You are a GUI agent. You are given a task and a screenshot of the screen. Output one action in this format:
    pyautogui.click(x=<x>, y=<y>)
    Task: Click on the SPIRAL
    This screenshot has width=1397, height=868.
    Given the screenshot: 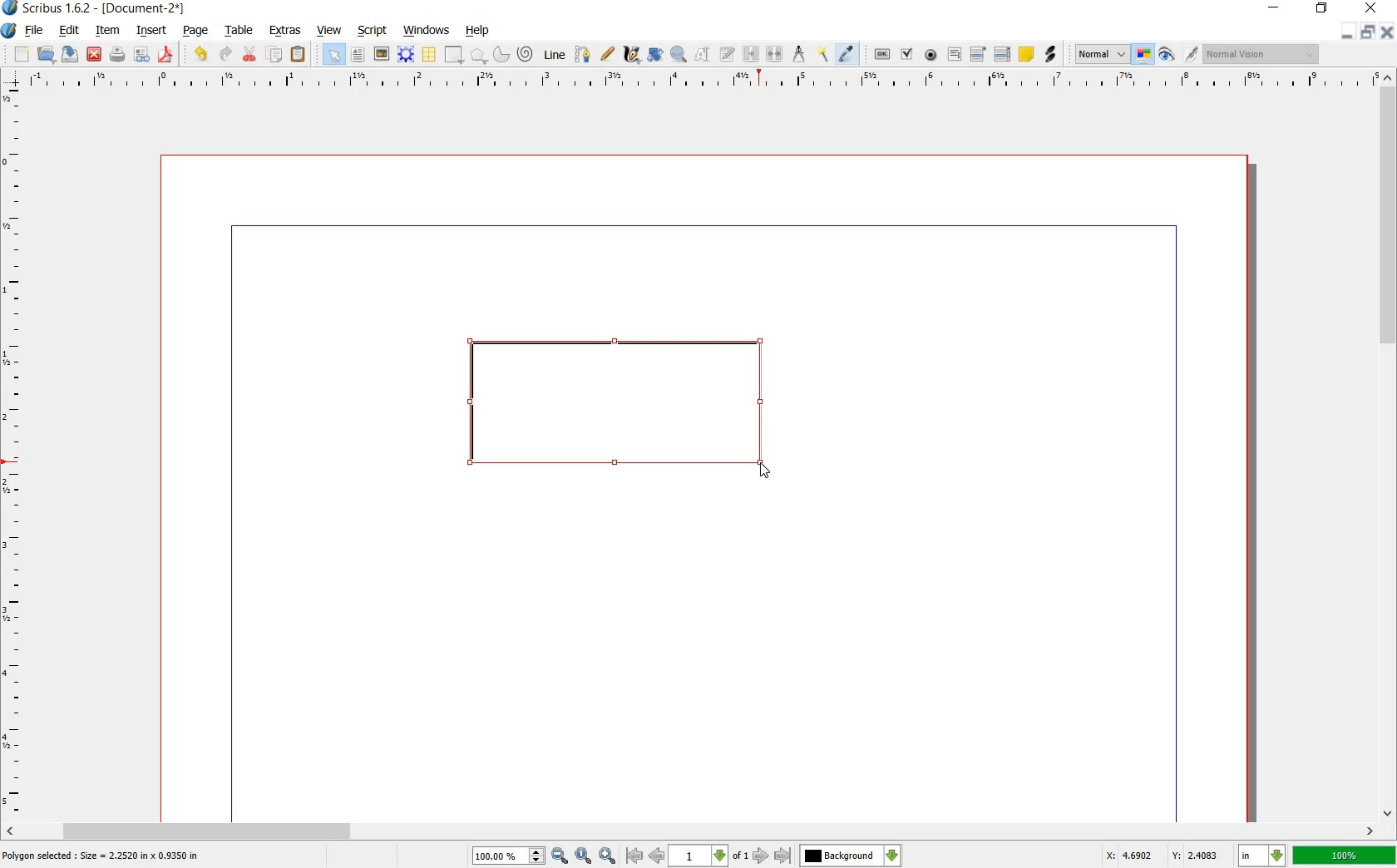 What is the action you would take?
    pyautogui.click(x=524, y=55)
    